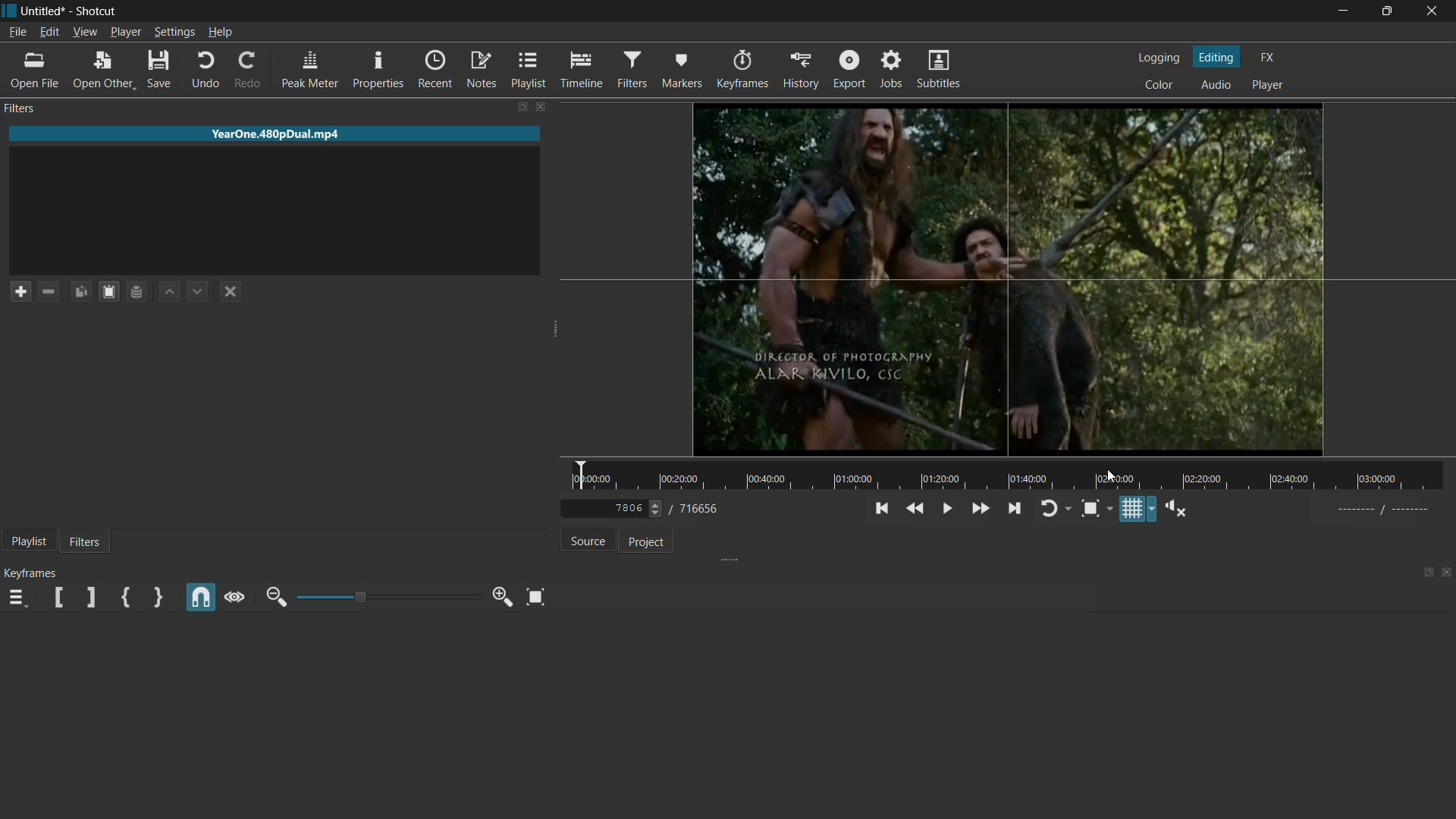 The height and width of the screenshot is (819, 1456). Describe the element at coordinates (479, 69) in the screenshot. I see `notes` at that location.